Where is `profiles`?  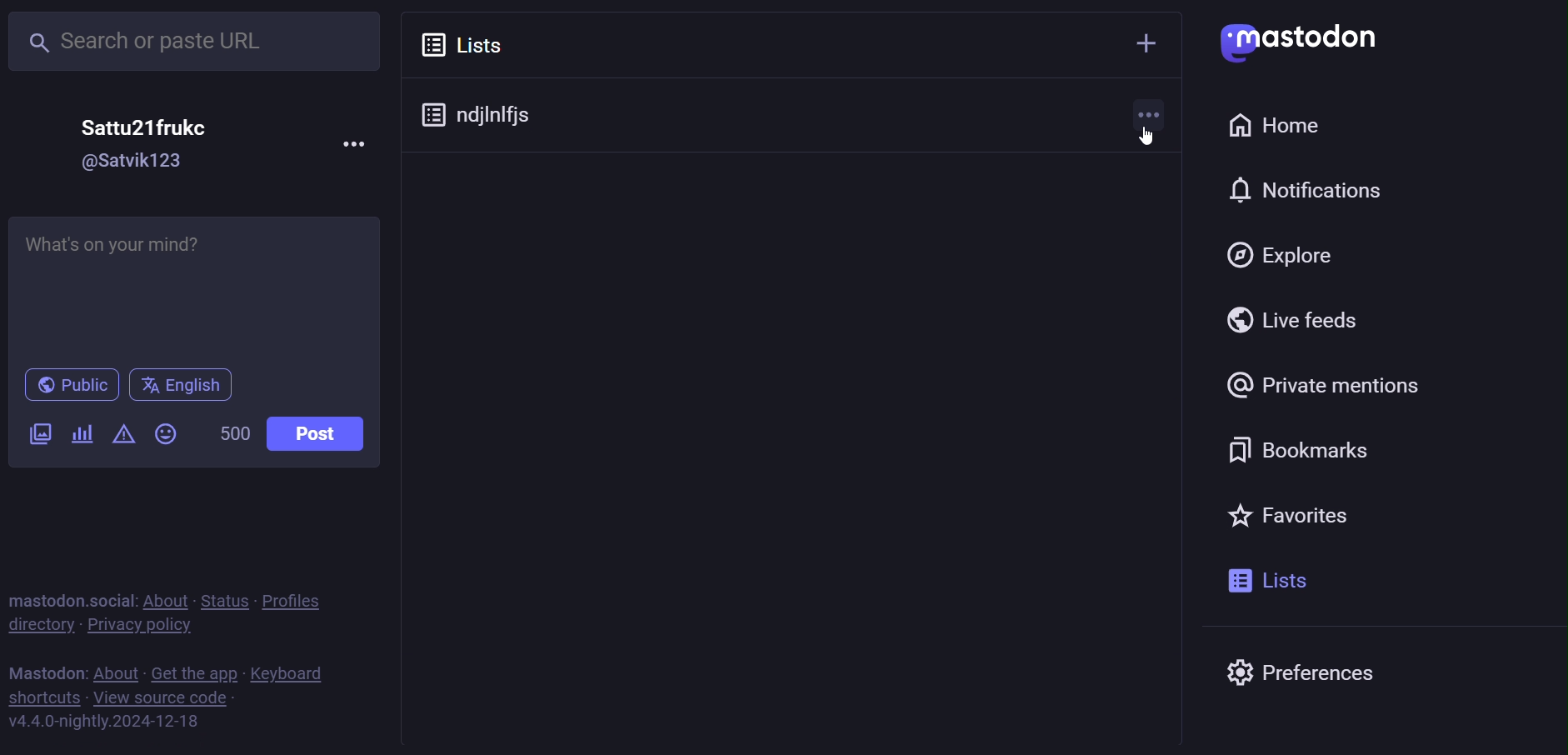
profiles is located at coordinates (299, 599).